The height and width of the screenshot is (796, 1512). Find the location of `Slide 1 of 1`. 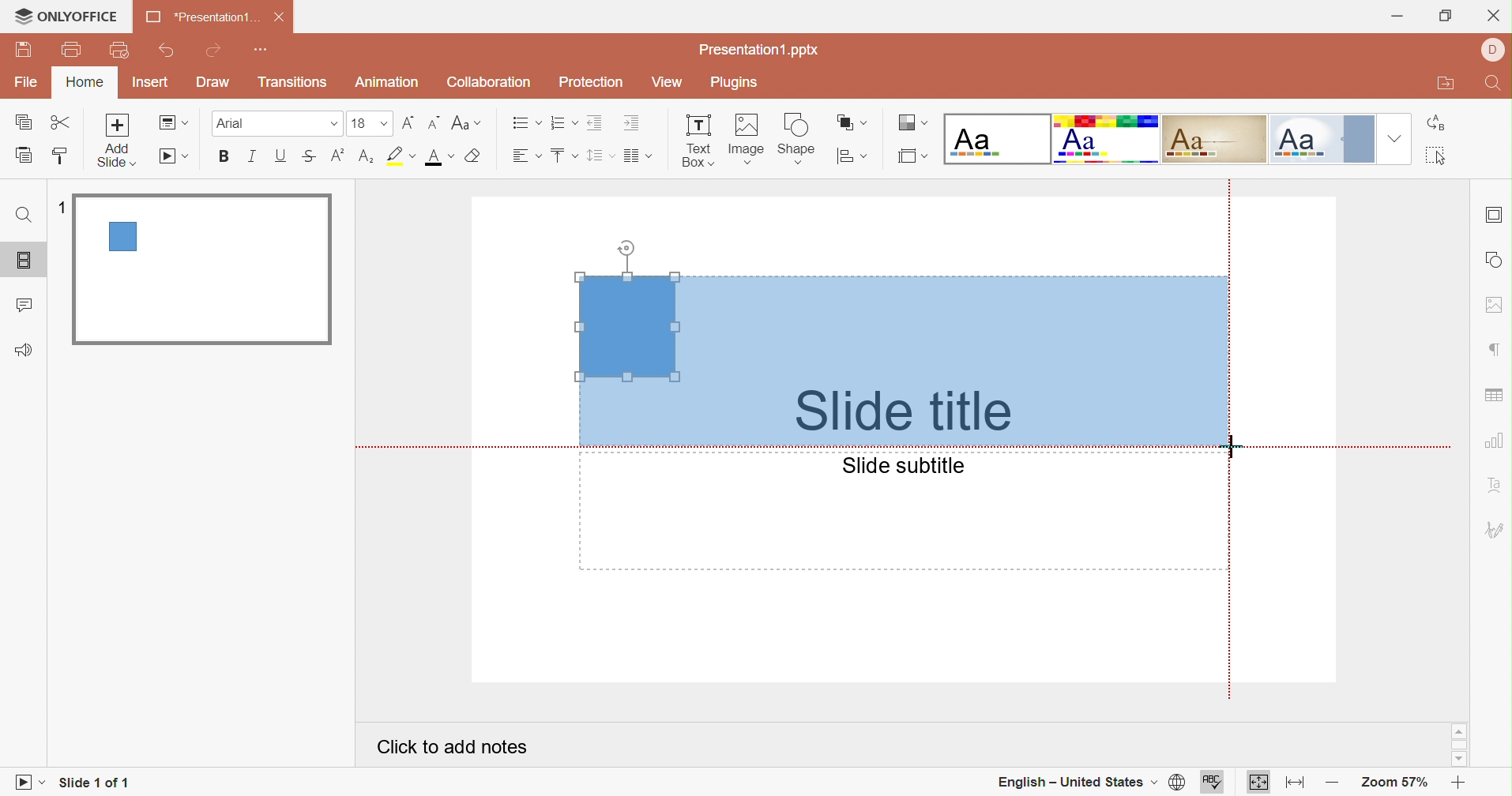

Slide 1 of 1 is located at coordinates (94, 782).